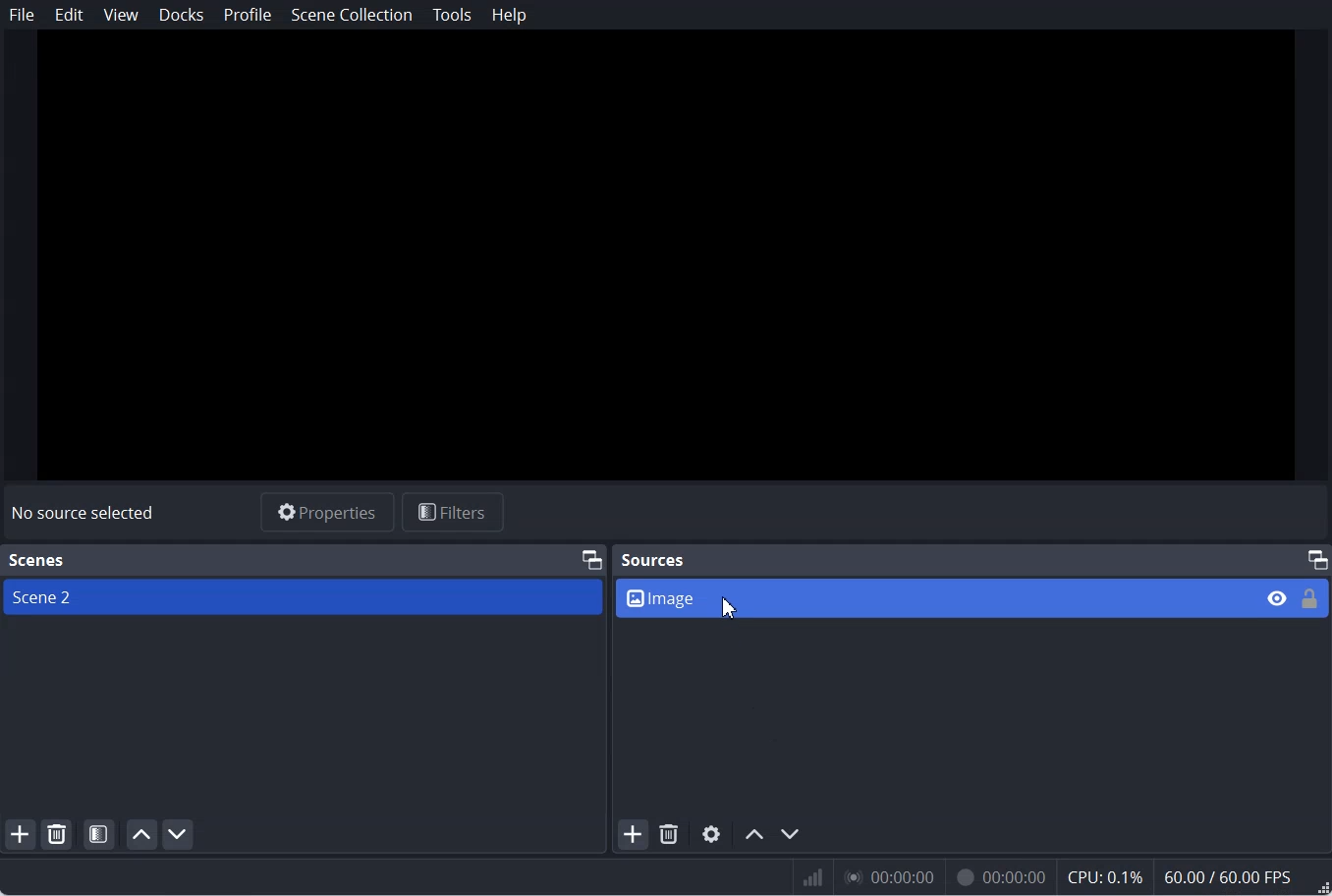  What do you see at coordinates (84, 512) in the screenshot?
I see `Text` at bounding box center [84, 512].